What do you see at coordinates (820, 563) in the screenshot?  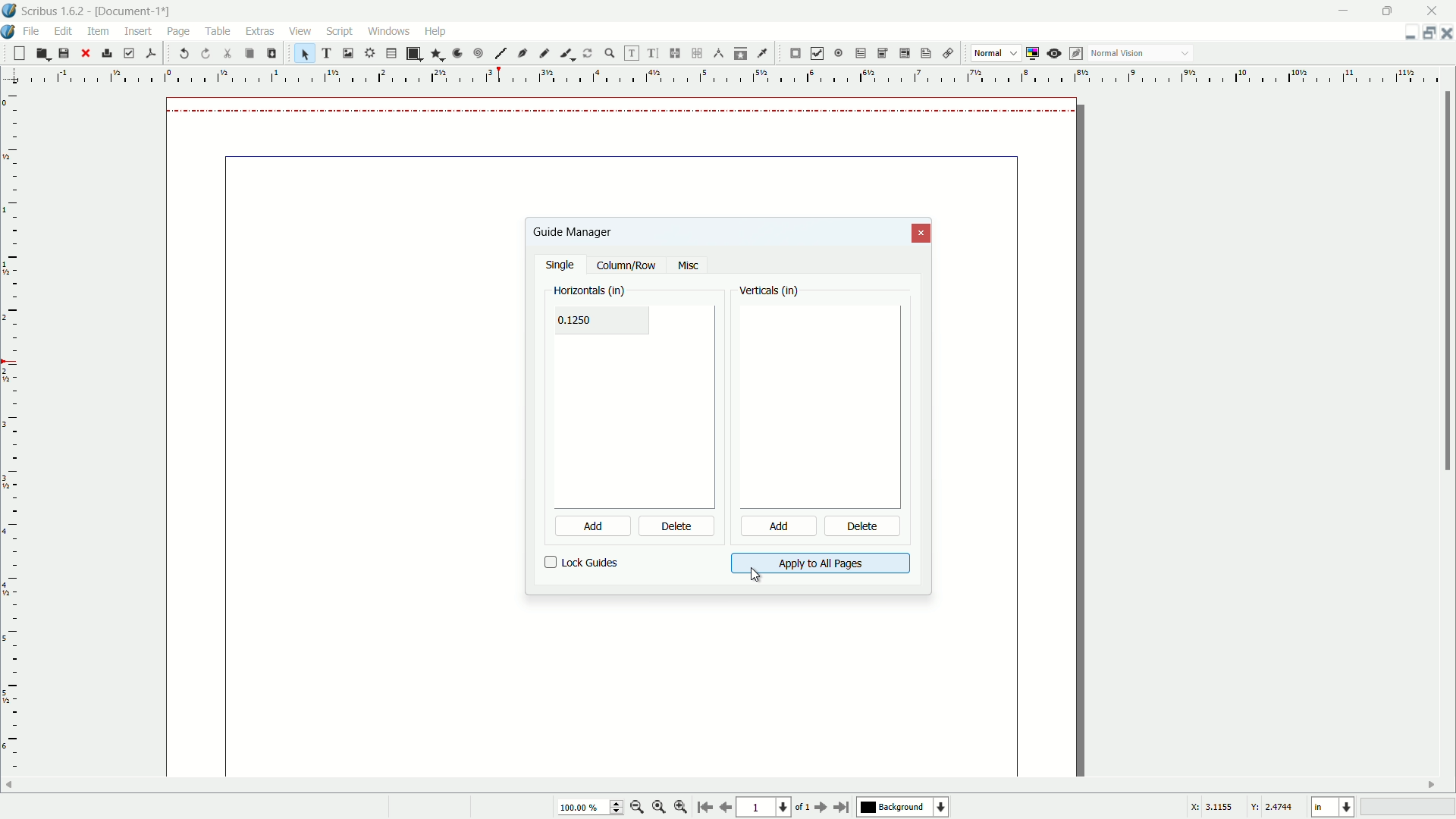 I see `apply to all pages` at bounding box center [820, 563].